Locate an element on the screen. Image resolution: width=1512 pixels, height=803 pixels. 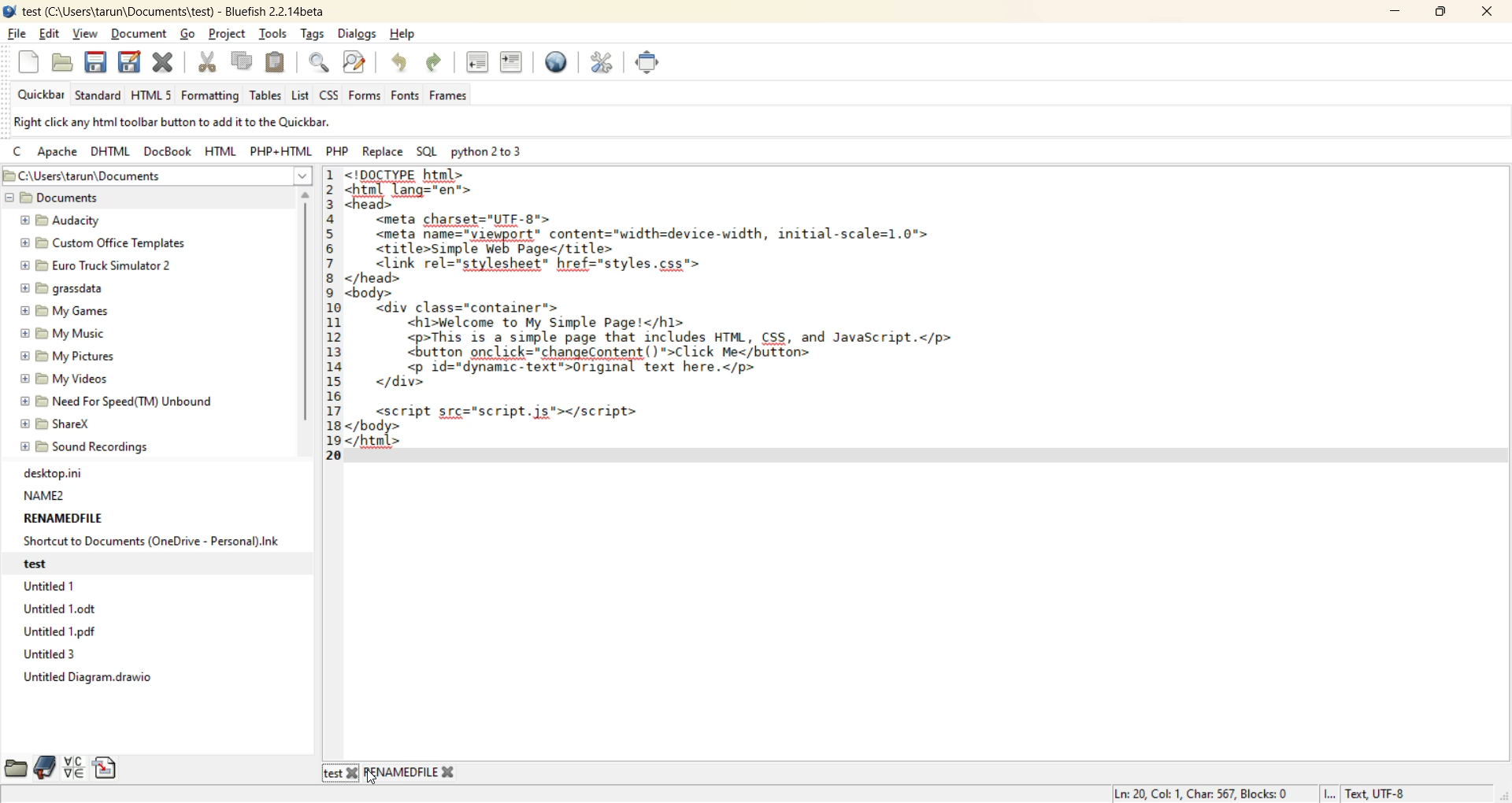
maximize is located at coordinates (1440, 13).